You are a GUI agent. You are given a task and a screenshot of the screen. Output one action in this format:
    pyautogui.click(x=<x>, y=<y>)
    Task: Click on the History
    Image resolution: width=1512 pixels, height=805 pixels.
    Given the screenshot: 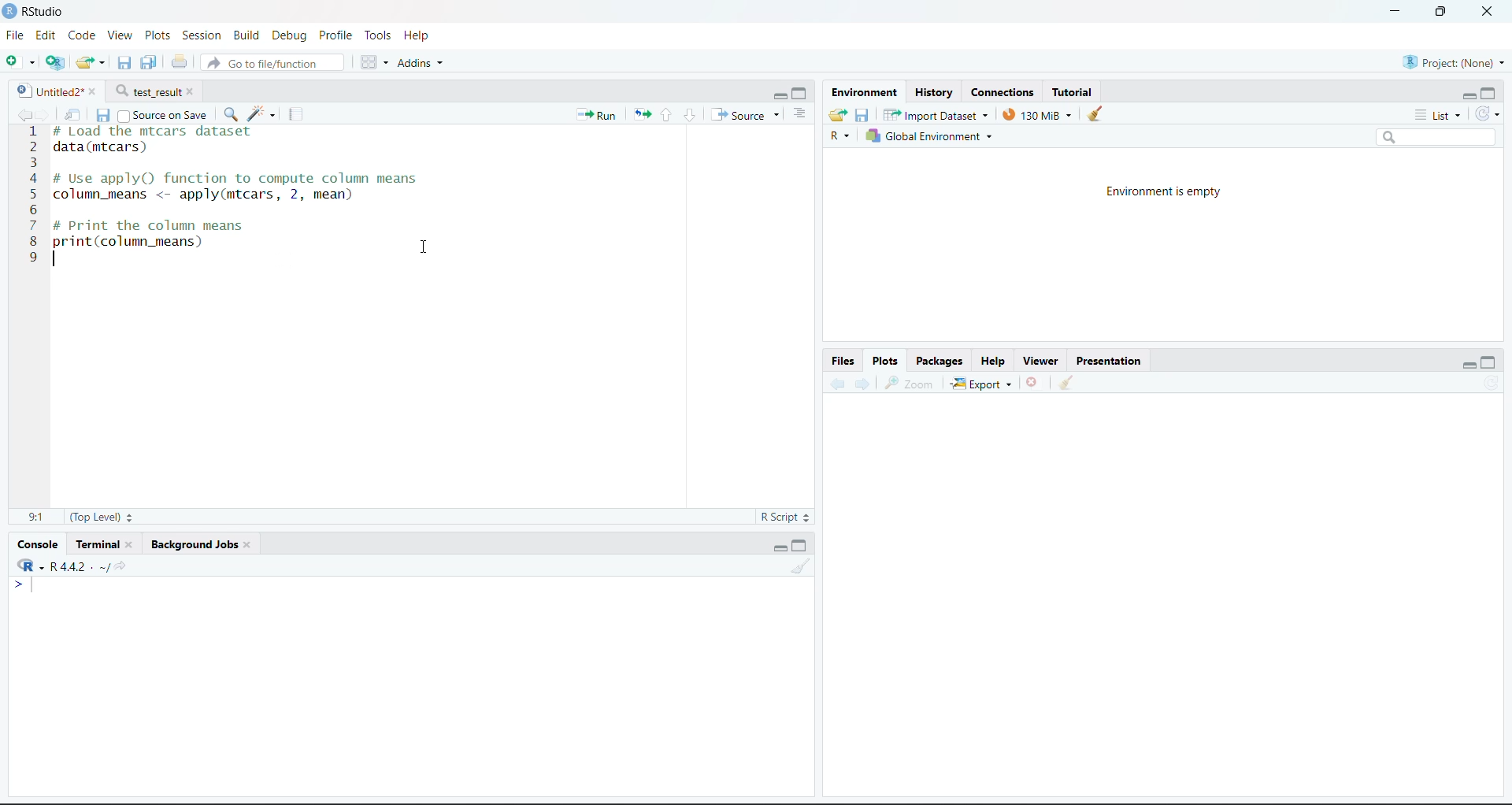 What is the action you would take?
    pyautogui.click(x=934, y=91)
    